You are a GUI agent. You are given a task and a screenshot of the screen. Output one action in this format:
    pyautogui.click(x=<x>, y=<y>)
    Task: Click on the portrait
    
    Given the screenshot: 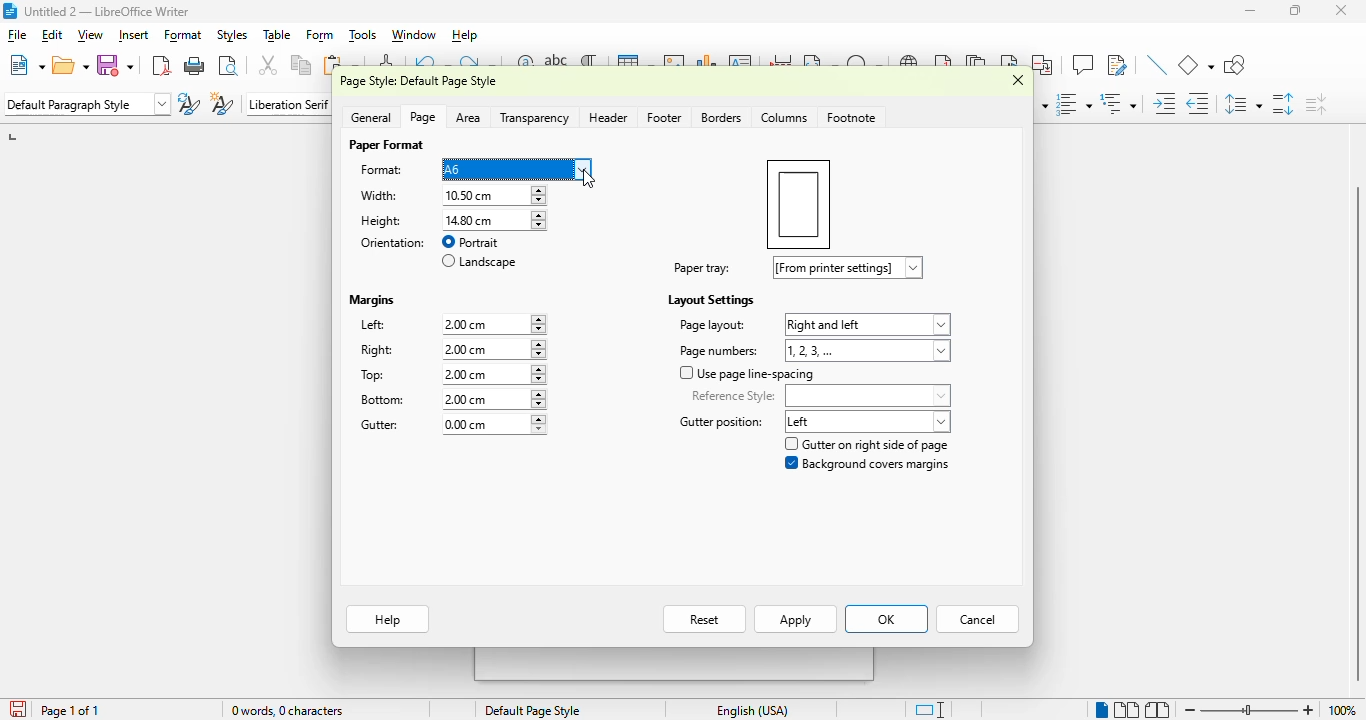 What is the action you would take?
    pyautogui.click(x=470, y=242)
    